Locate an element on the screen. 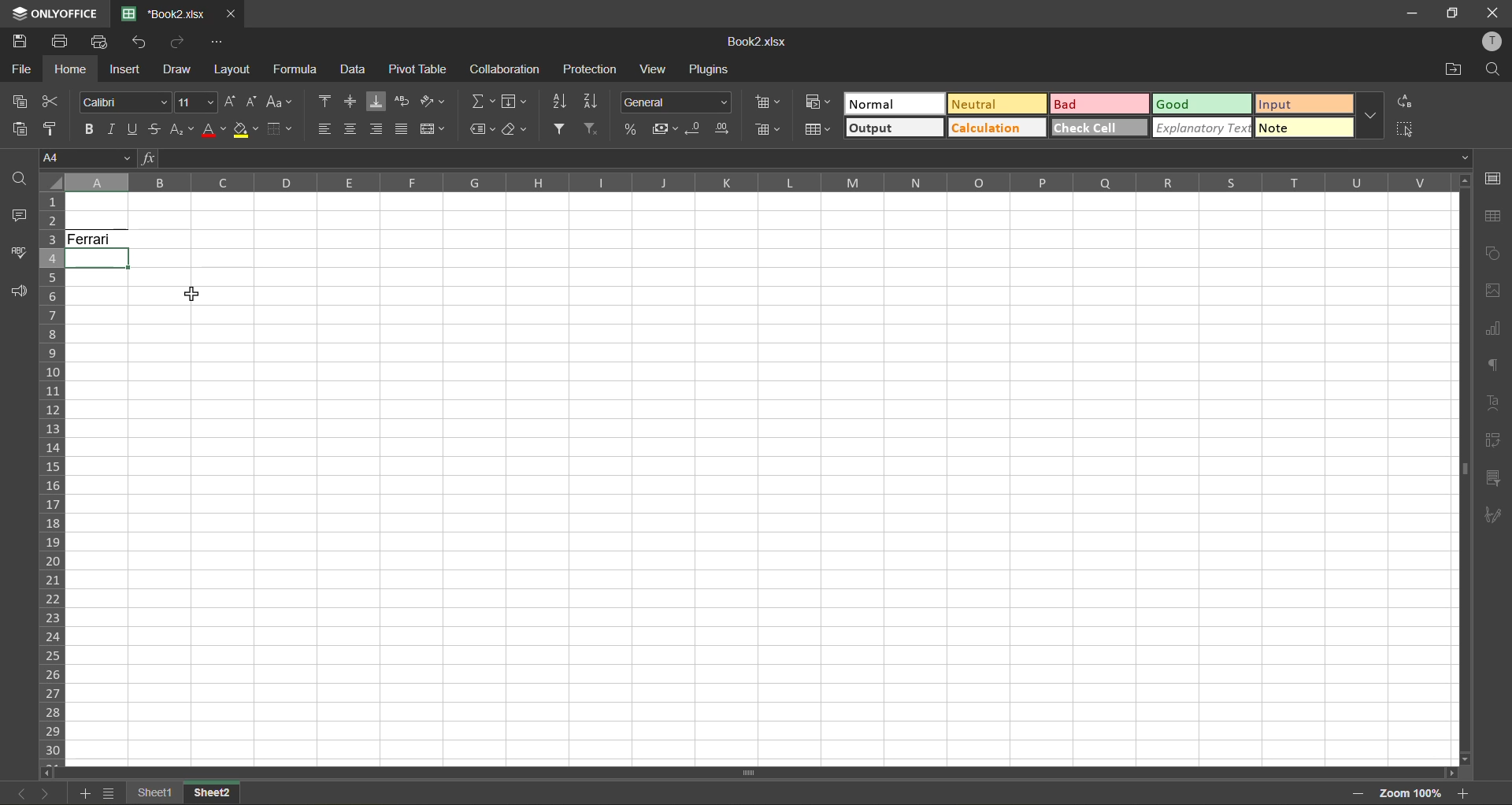  sub/superscript is located at coordinates (180, 132).